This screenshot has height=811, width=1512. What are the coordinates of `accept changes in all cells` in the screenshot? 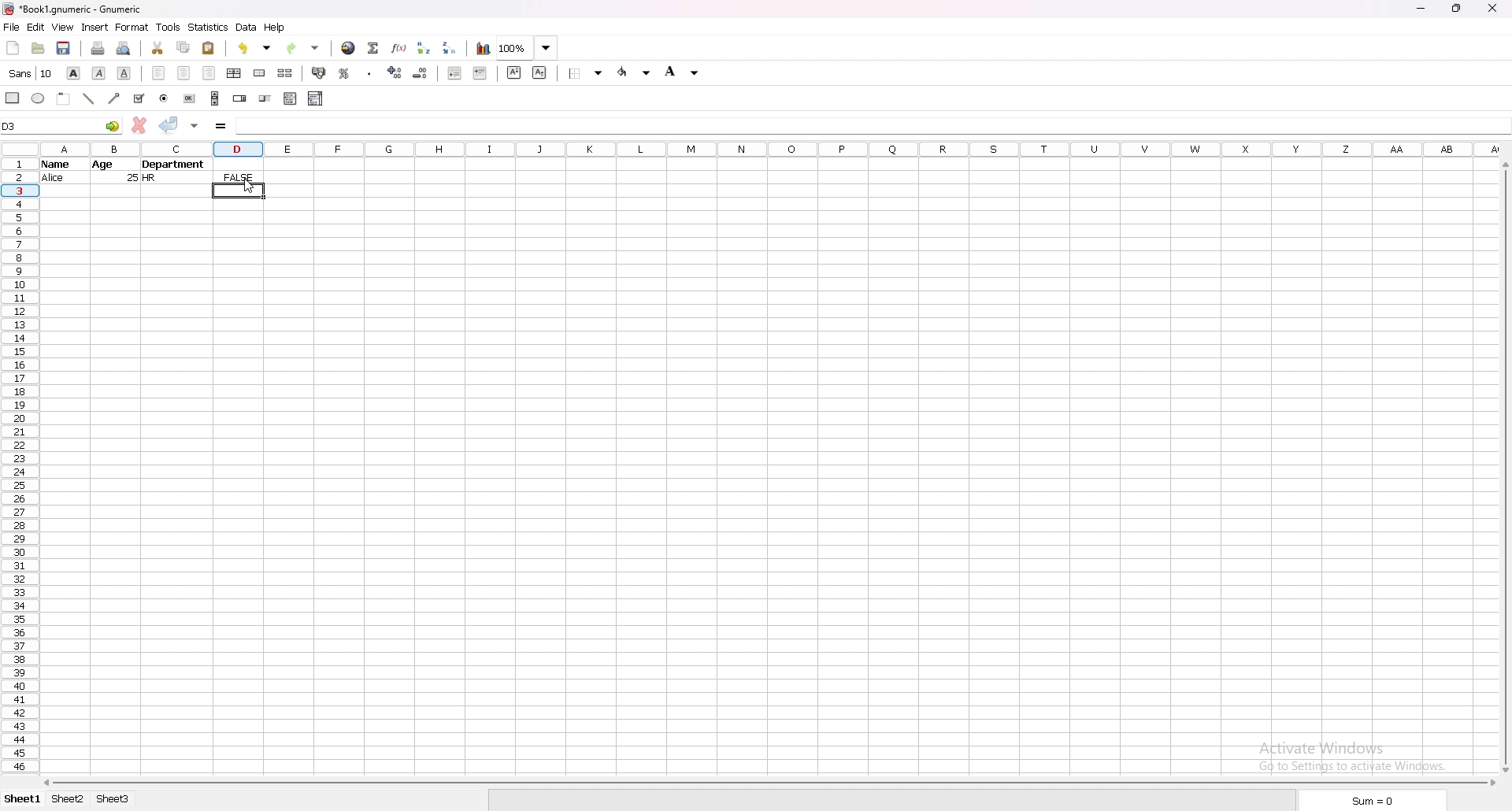 It's located at (196, 127).